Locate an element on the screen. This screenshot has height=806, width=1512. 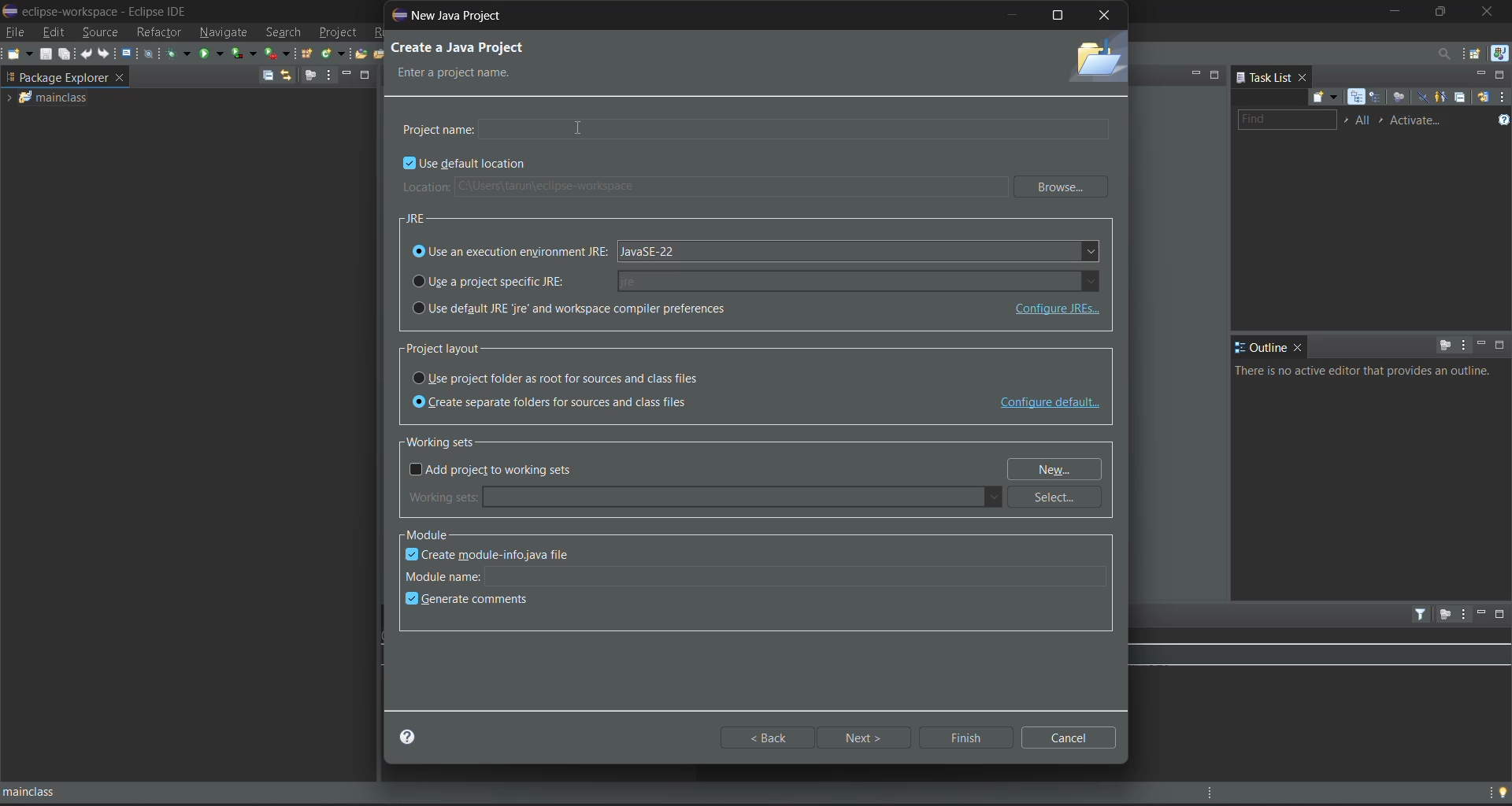
access commands and other items is located at coordinates (1440, 52).